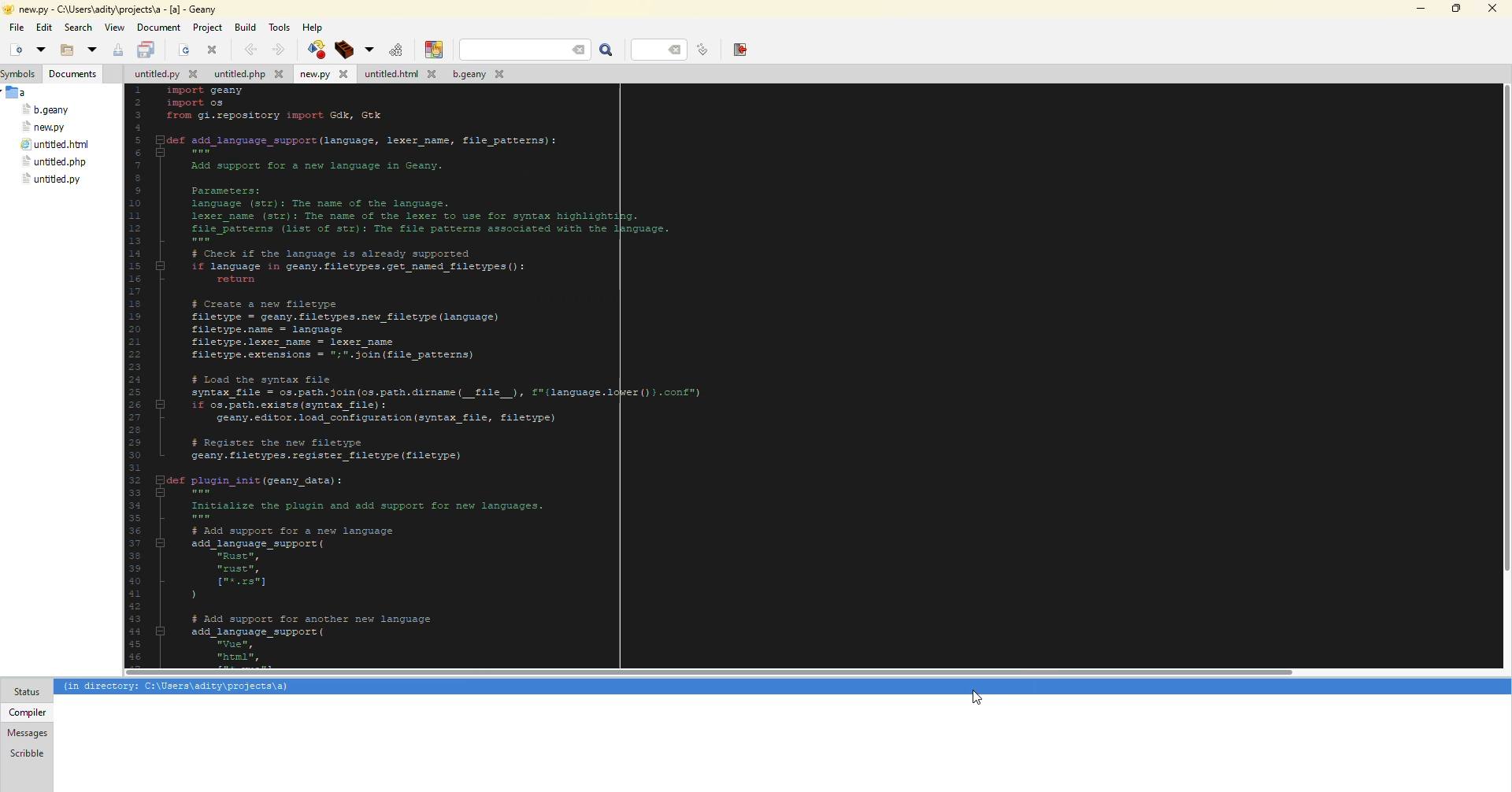 Image resolution: width=1512 pixels, height=792 pixels. I want to click on run, so click(394, 50).